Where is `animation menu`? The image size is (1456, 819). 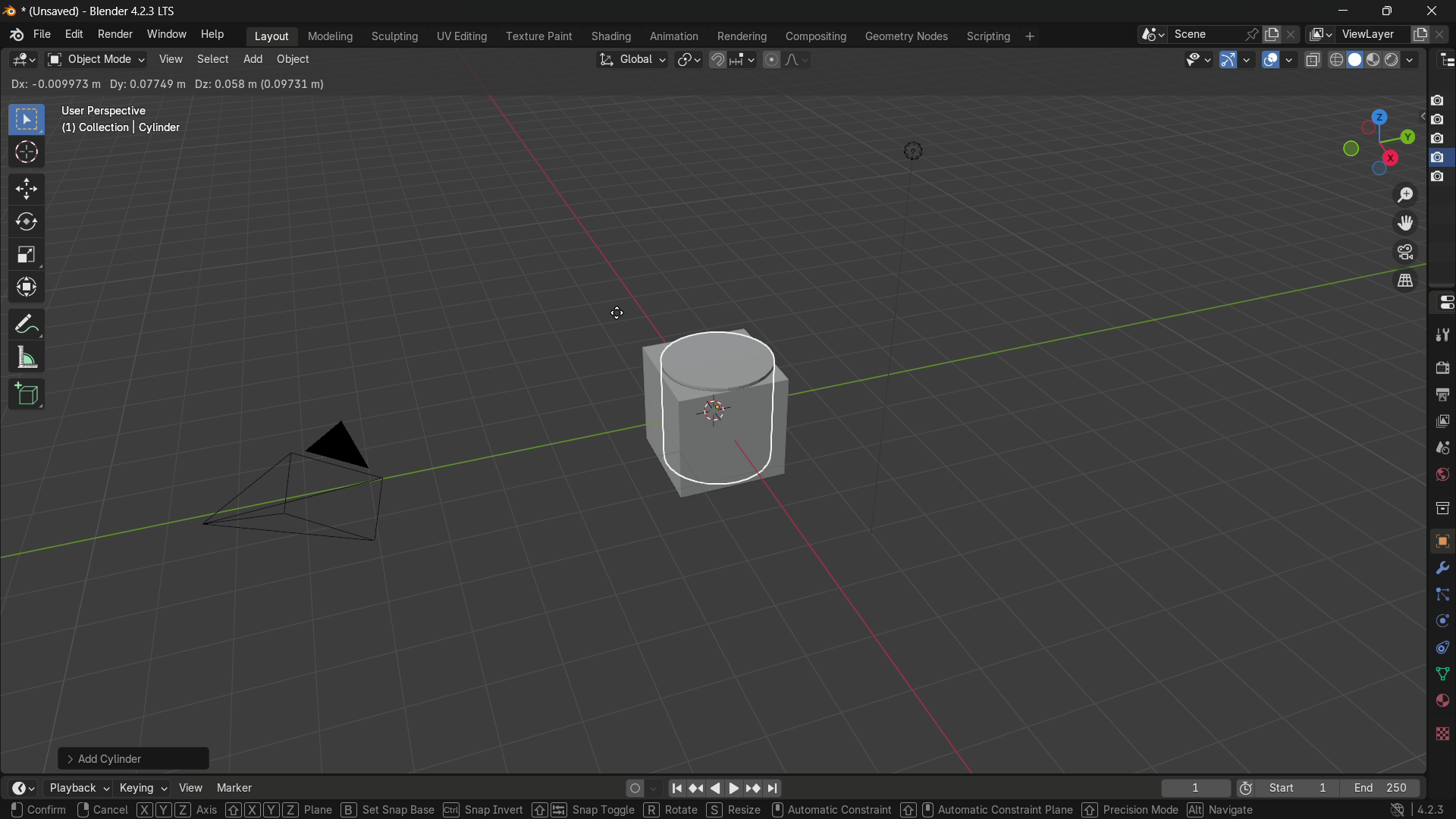
animation menu is located at coordinates (676, 38).